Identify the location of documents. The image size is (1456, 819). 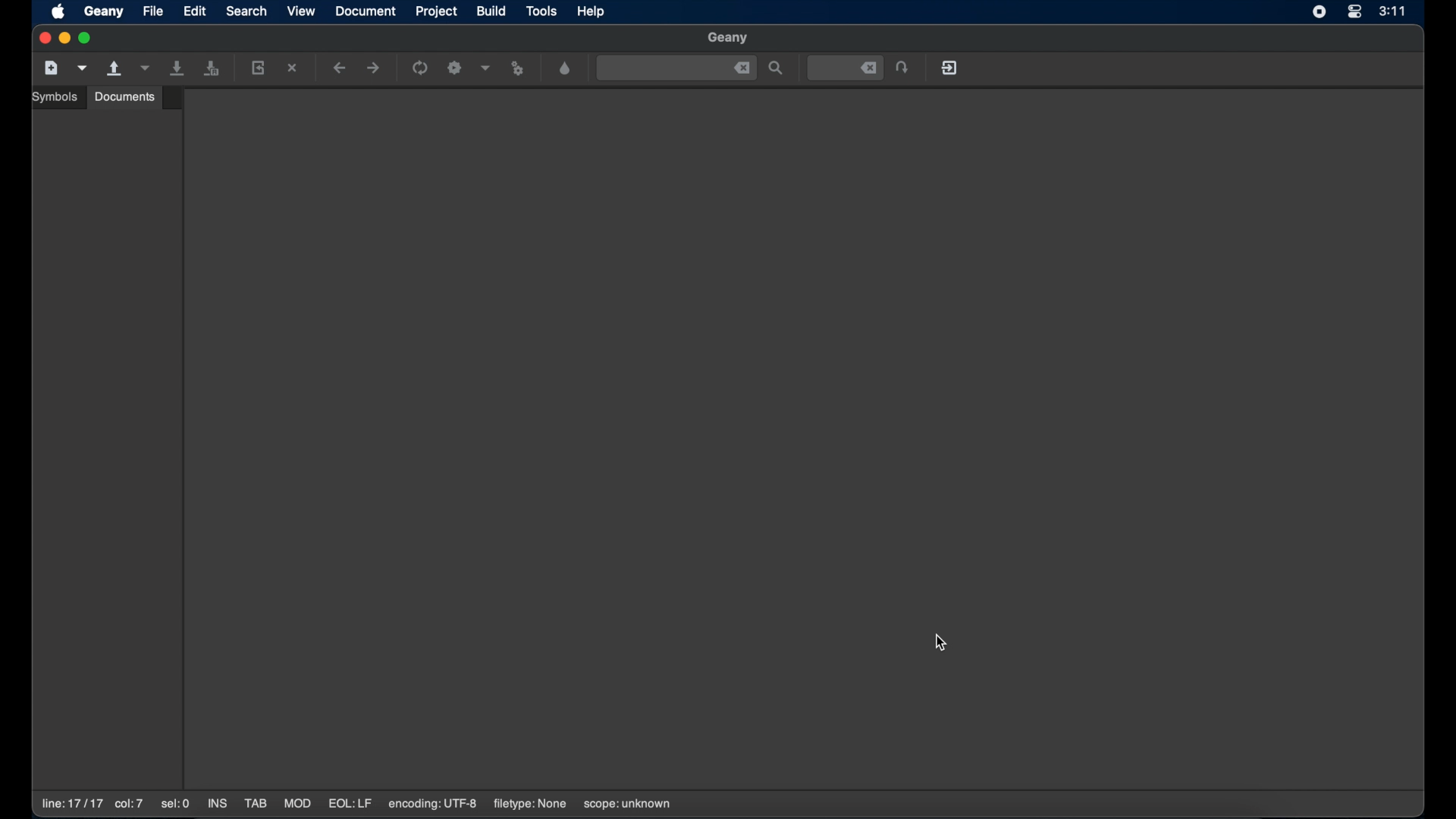
(125, 96).